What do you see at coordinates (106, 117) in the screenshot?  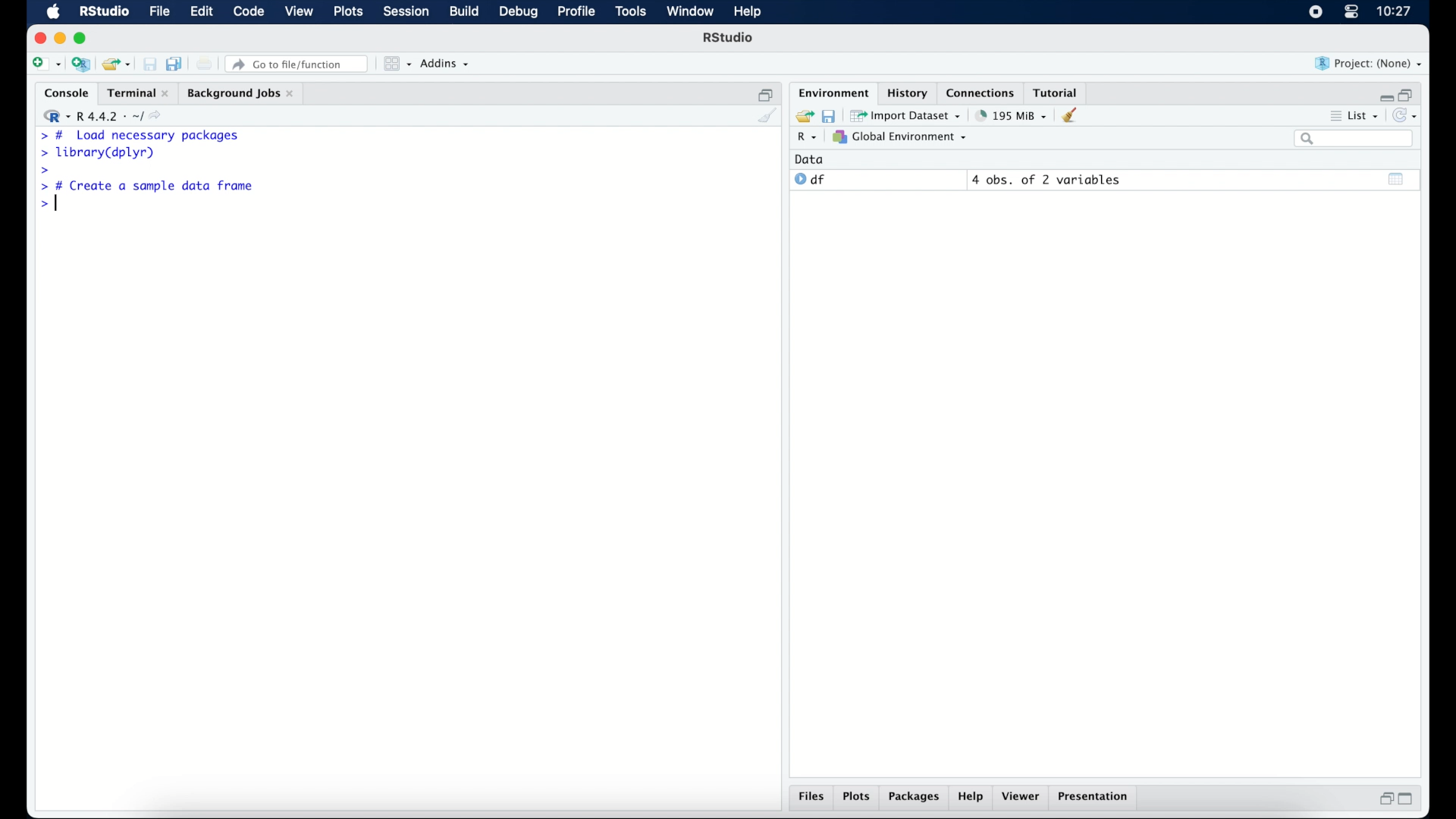 I see `R 4.4.2` at bounding box center [106, 117].